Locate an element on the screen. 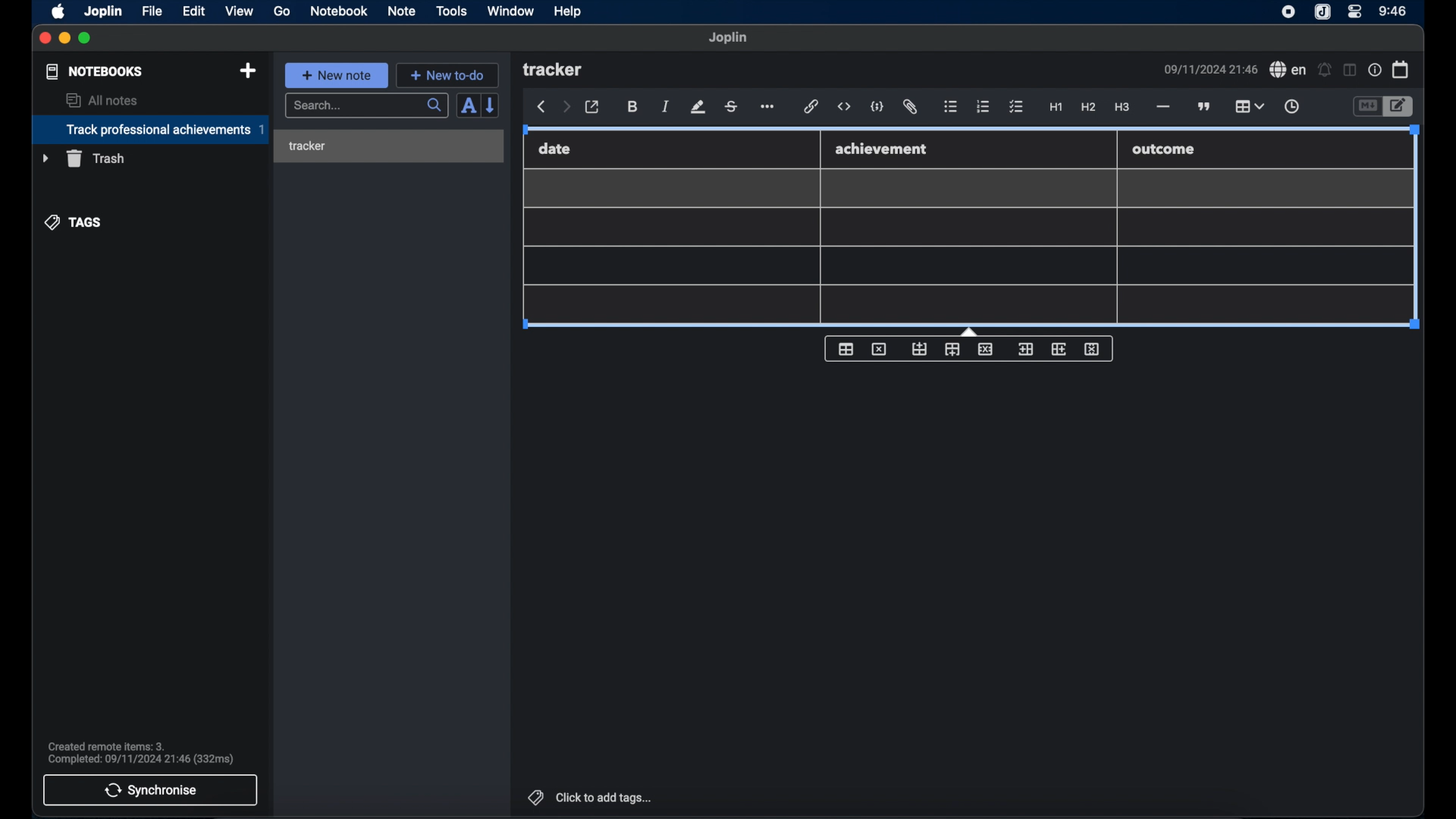 The height and width of the screenshot is (819, 1456). synchronise is located at coordinates (151, 790).